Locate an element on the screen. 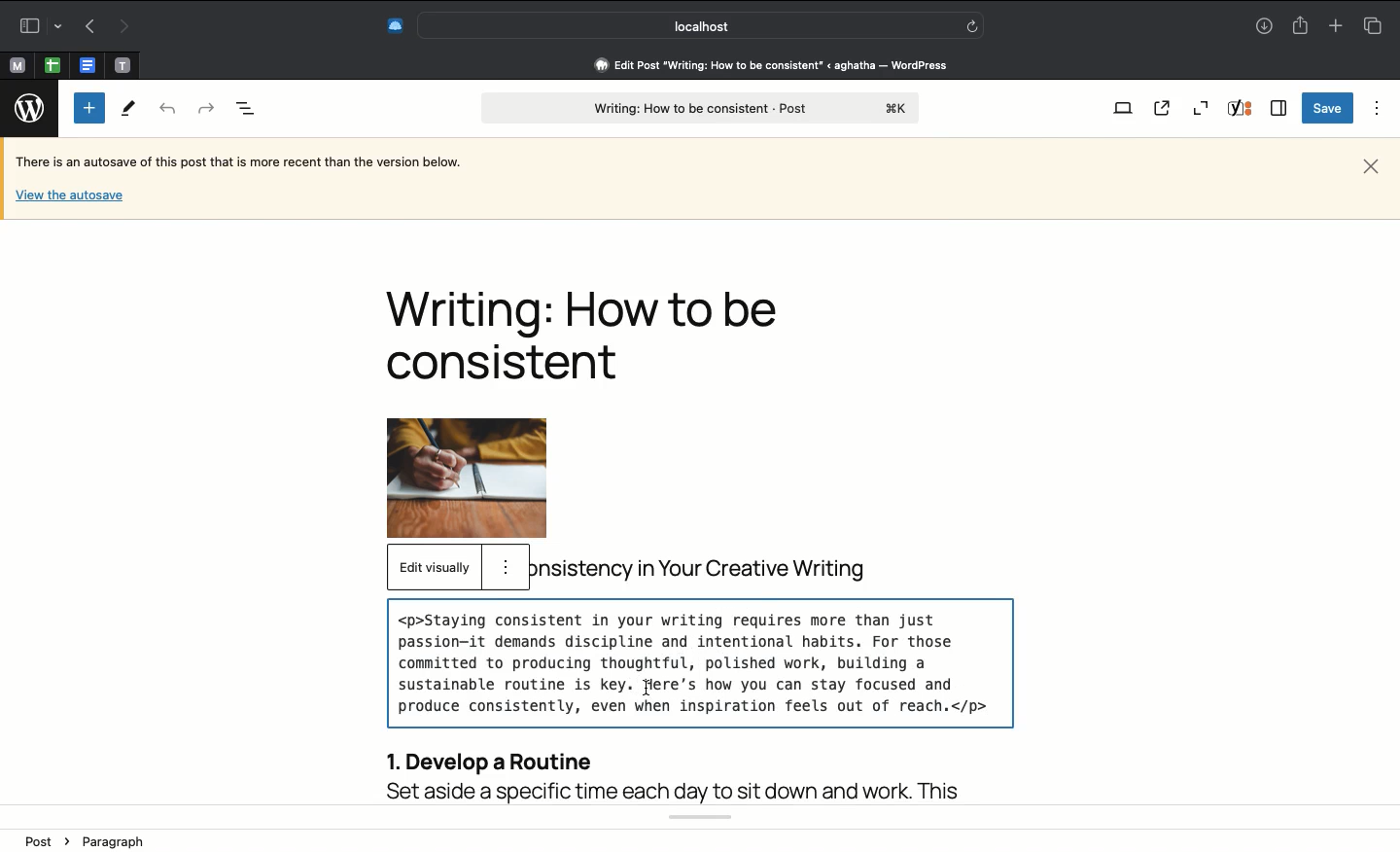 The image size is (1400, 852). Extensions is located at coordinates (394, 23).